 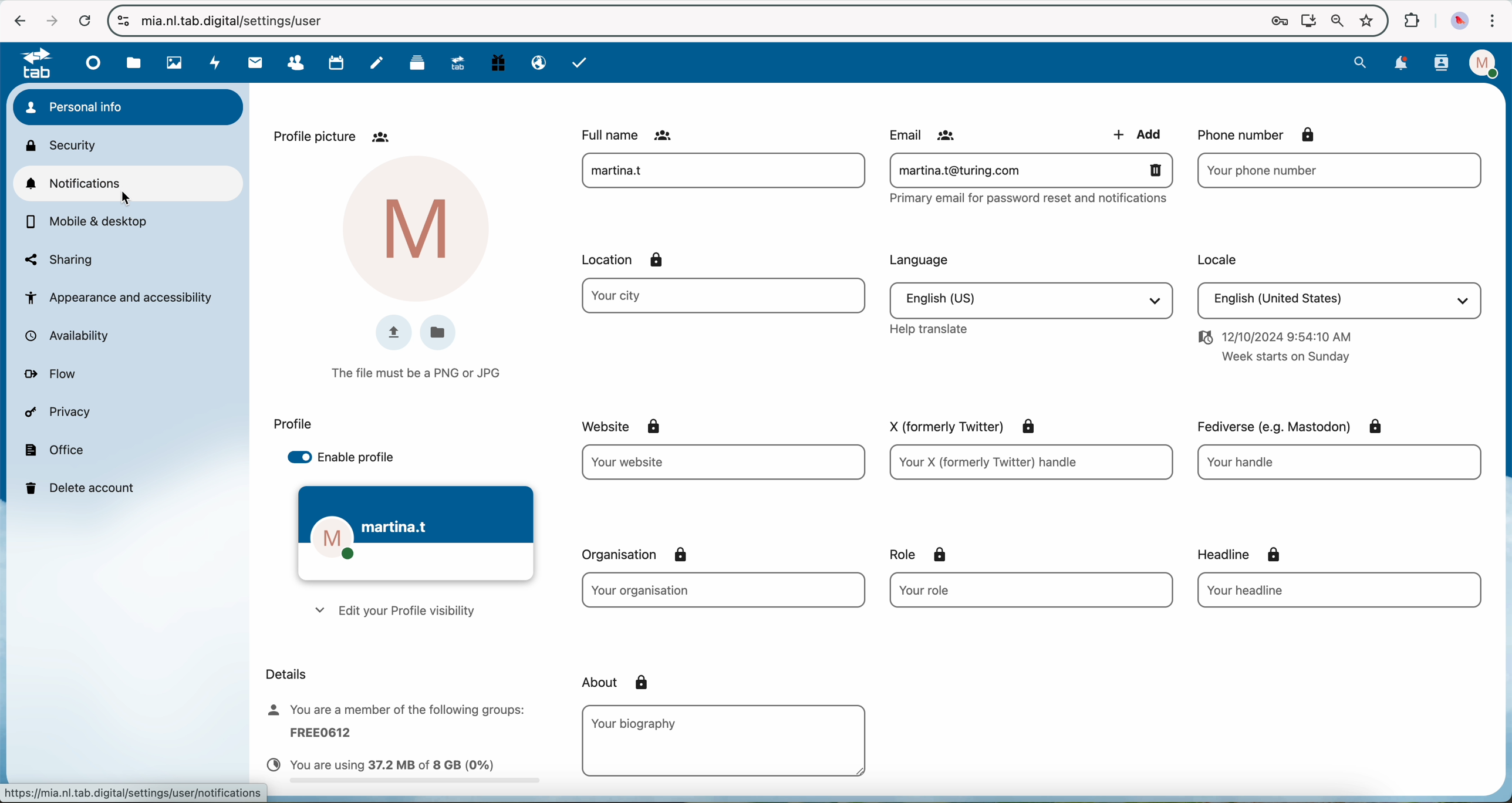 I want to click on customize and control Google Chrome, so click(x=1494, y=21).